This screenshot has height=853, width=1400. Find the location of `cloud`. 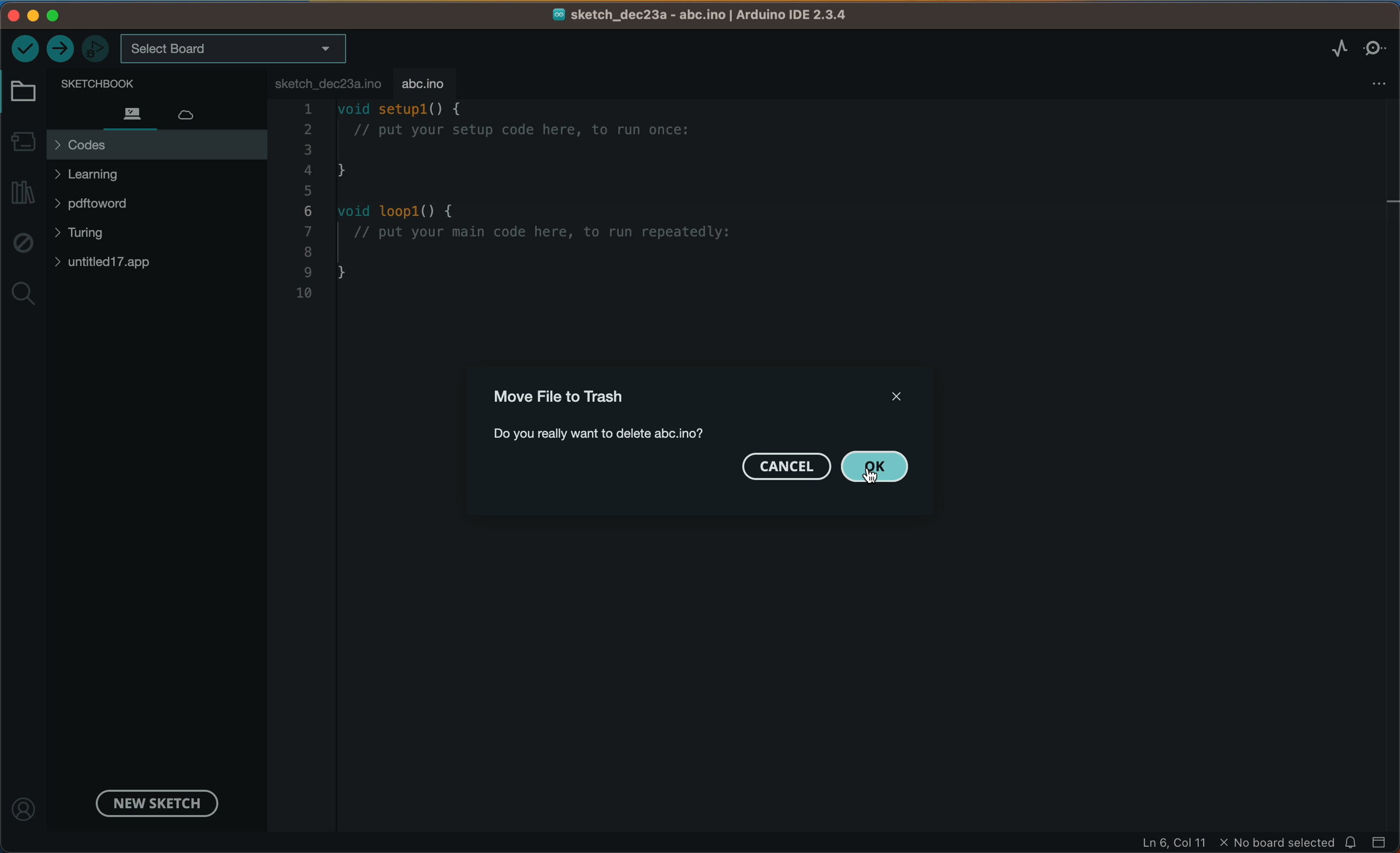

cloud is located at coordinates (194, 112).